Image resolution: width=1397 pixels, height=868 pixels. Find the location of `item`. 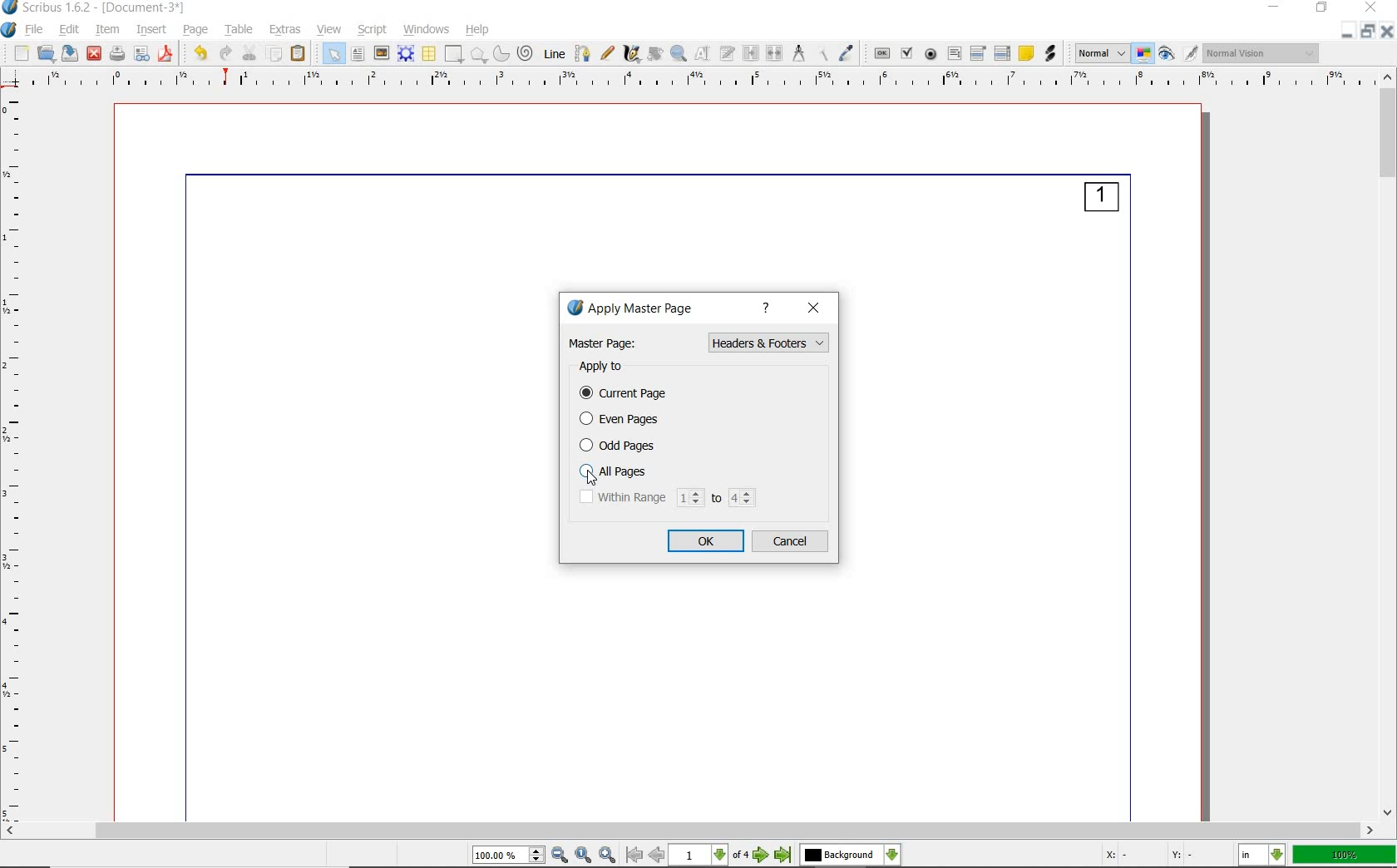

item is located at coordinates (107, 30).